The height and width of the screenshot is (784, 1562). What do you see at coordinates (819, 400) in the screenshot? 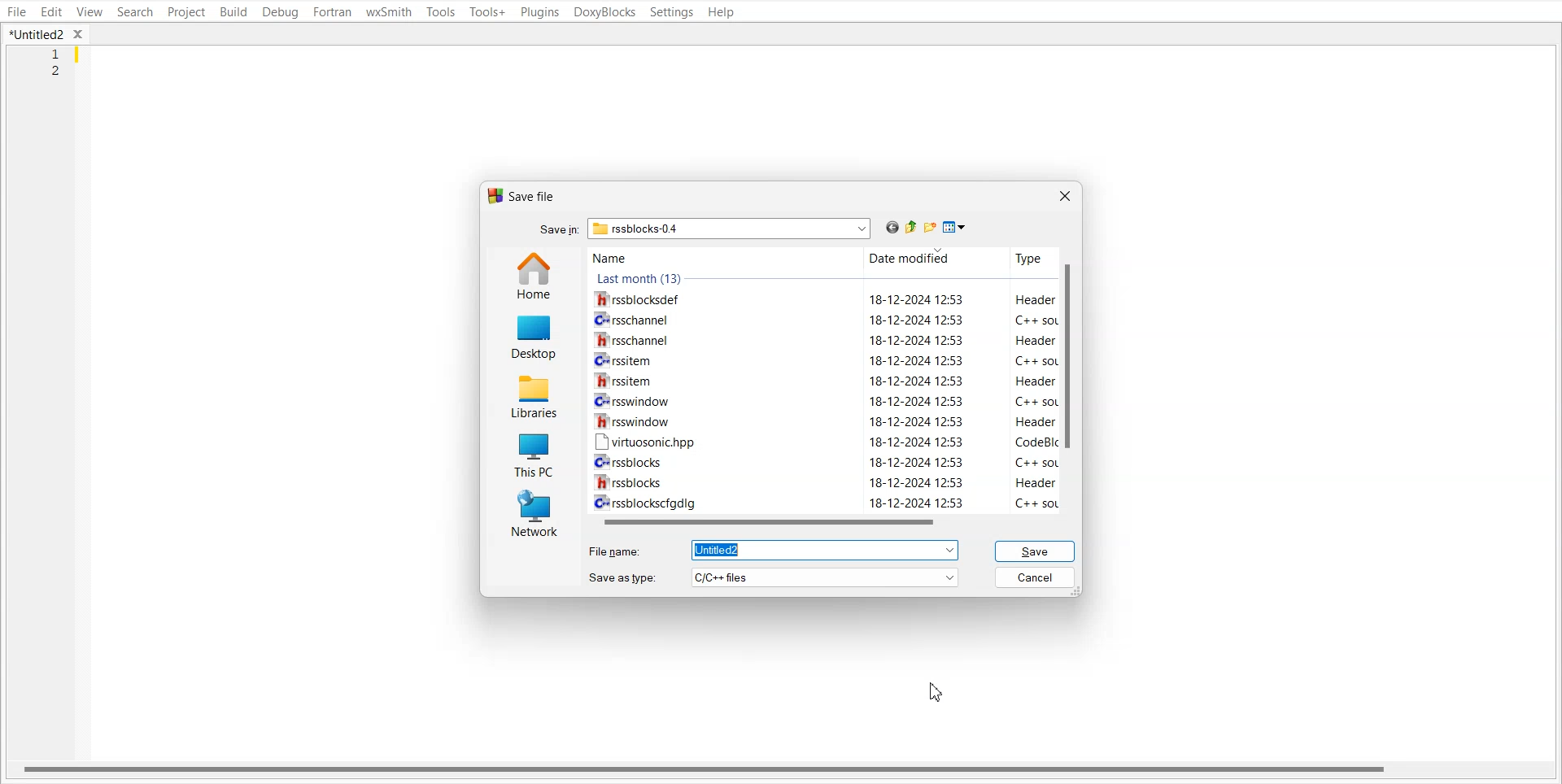
I see `CH rsswindow 18-12-2024 12:53 C++ sol` at bounding box center [819, 400].